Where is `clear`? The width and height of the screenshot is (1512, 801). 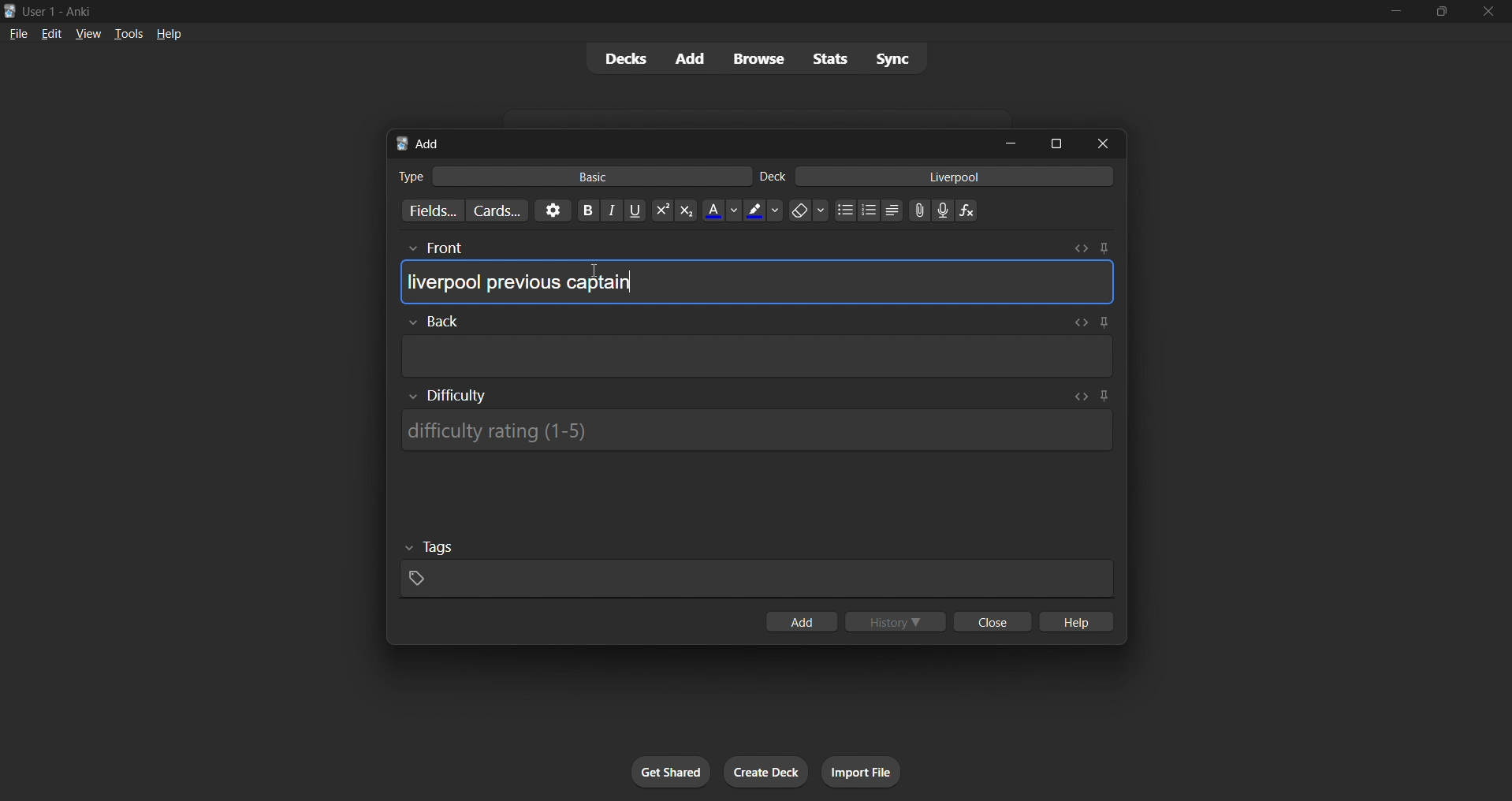 clear is located at coordinates (808, 210).